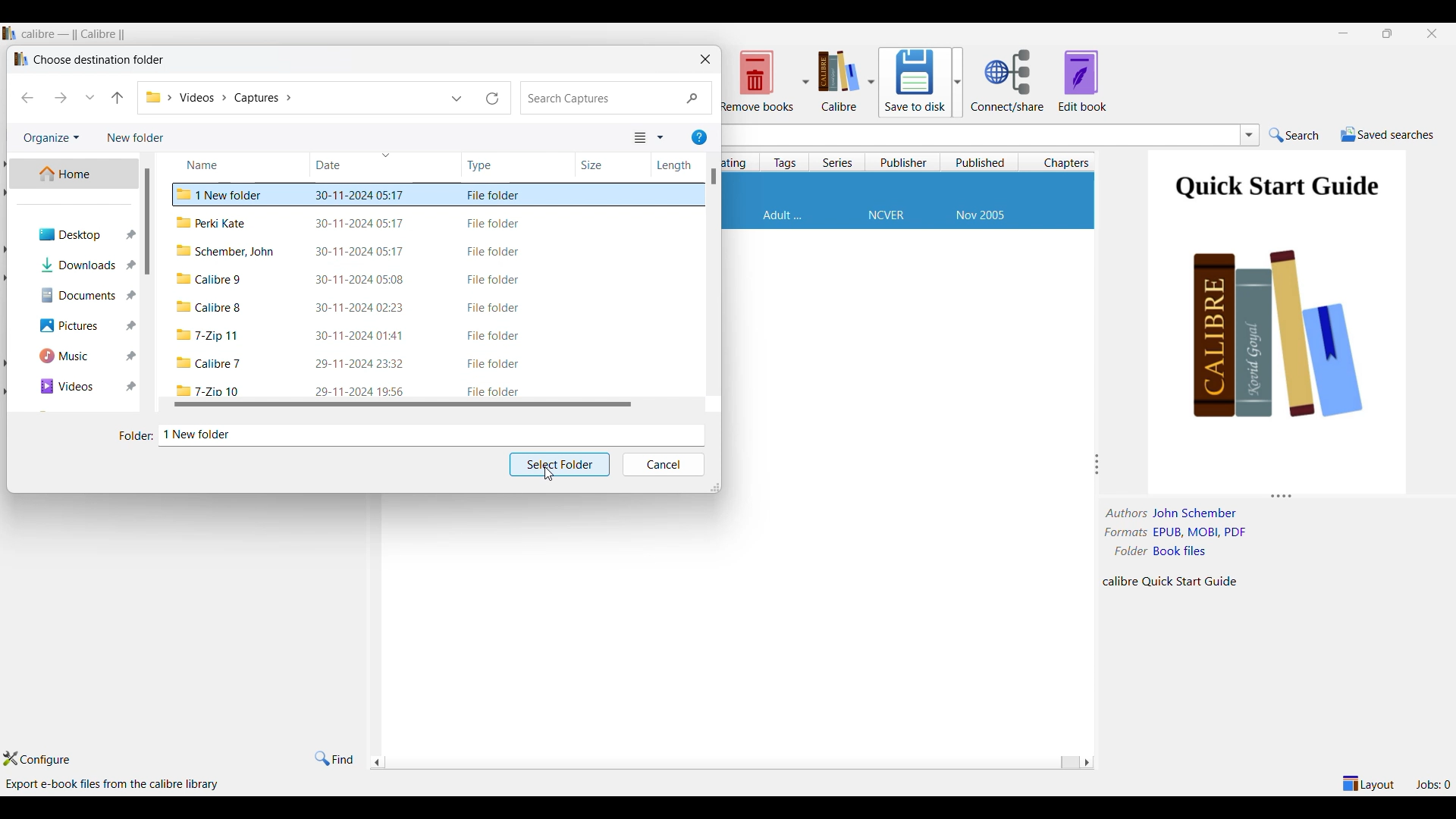  What do you see at coordinates (783, 215) in the screenshot?
I see `Tags` at bounding box center [783, 215].